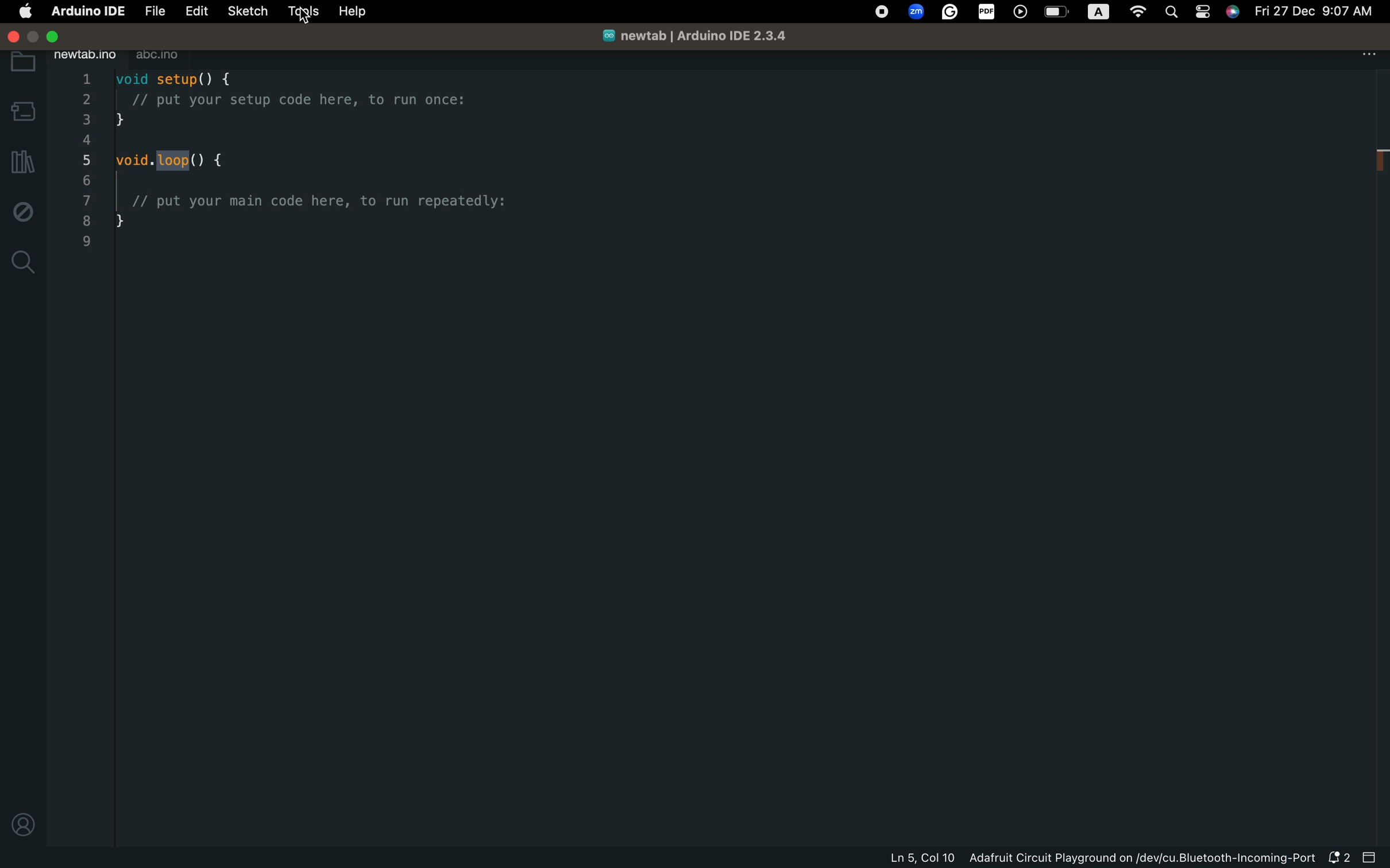 Image resolution: width=1390 pixels, height=868 pixels. What do you see at coordinates (1144, 858) in the screenshot?
I see `Adafruit Circuit Playground on/dev/cu.Bluetooth-Incoming-Port` at bounding box center [1144, 858].